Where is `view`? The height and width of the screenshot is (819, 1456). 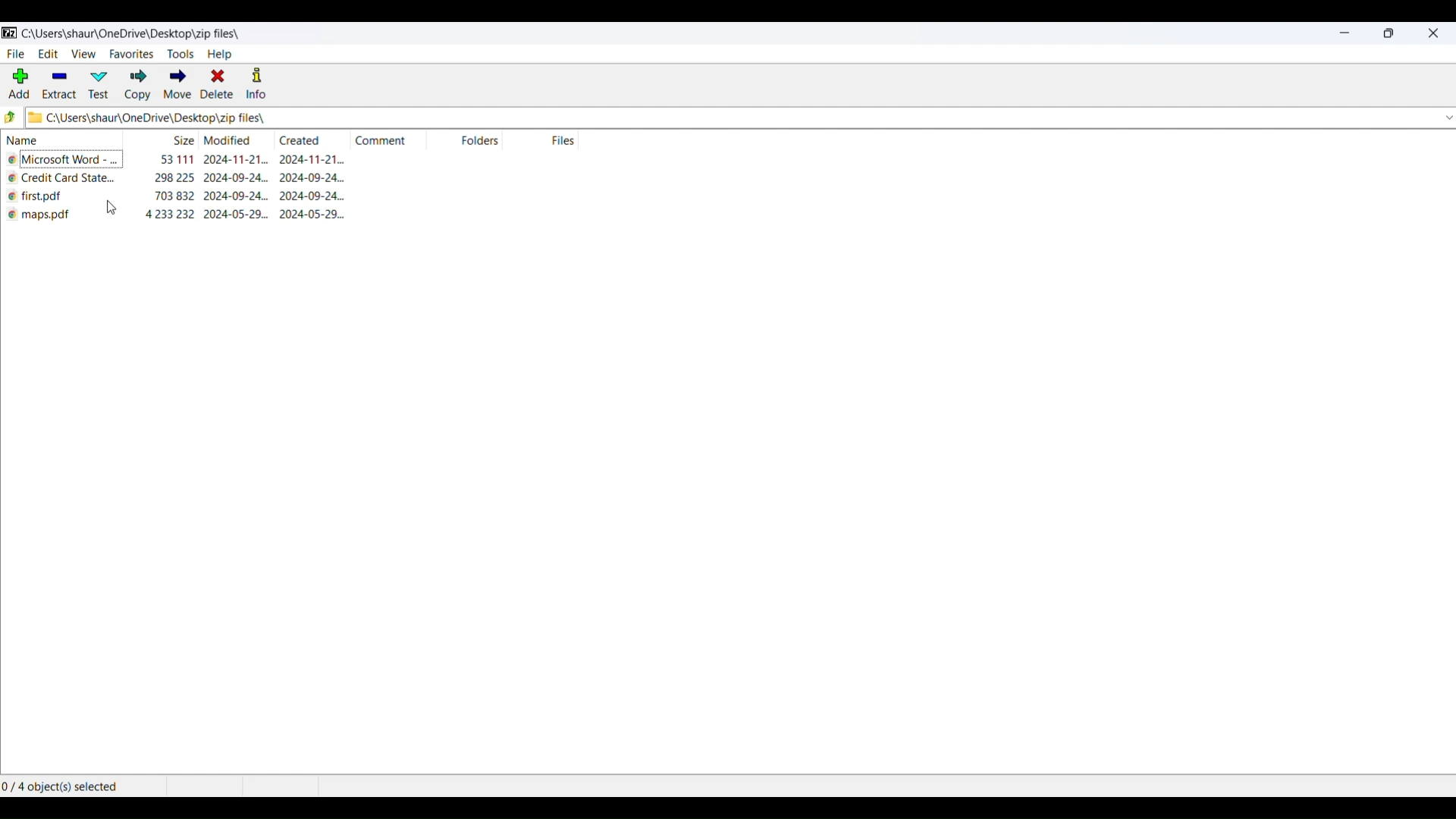 view is located at coordinates (83, 58).